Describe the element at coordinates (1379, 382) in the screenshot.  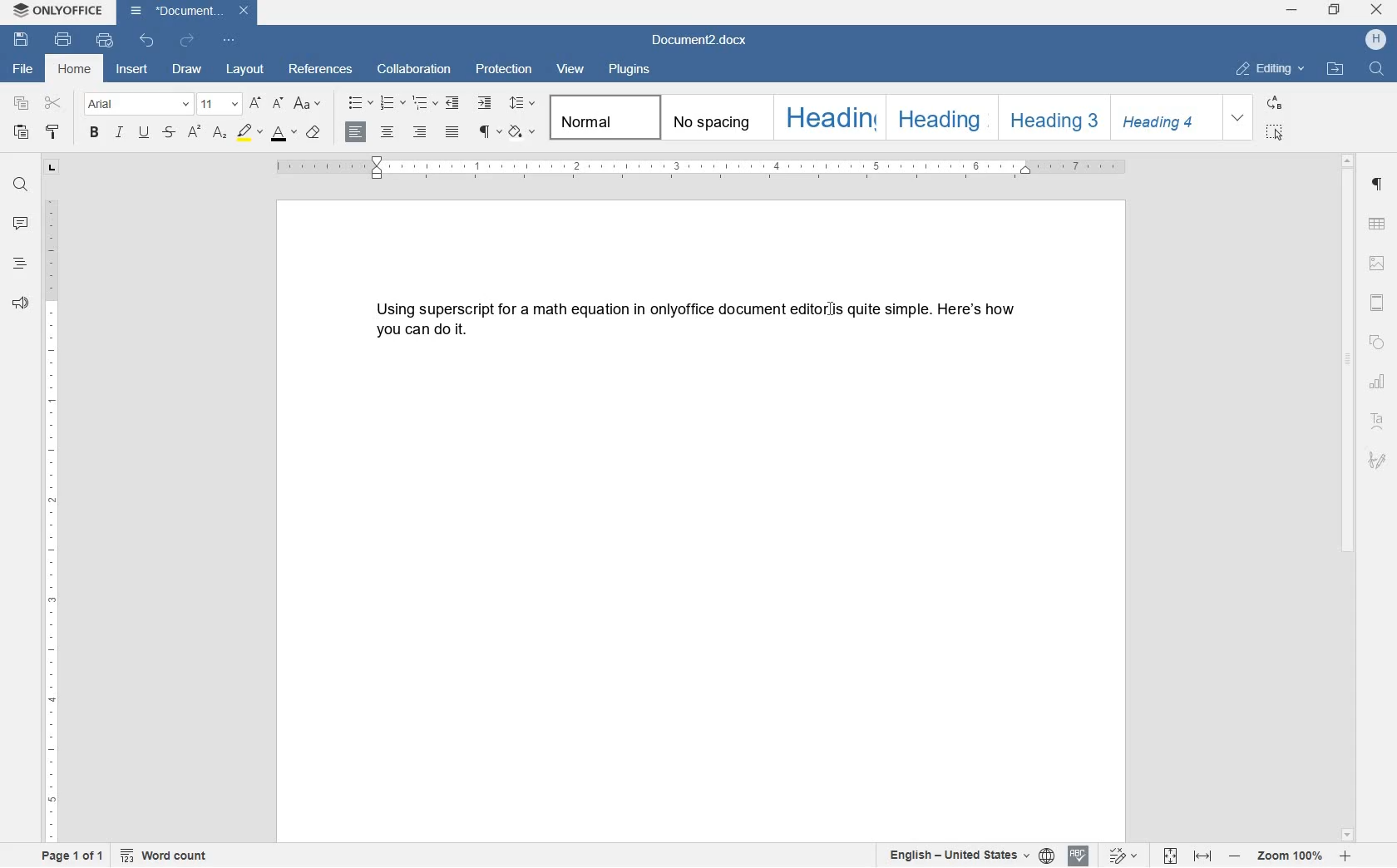
I see `chart` at that location.